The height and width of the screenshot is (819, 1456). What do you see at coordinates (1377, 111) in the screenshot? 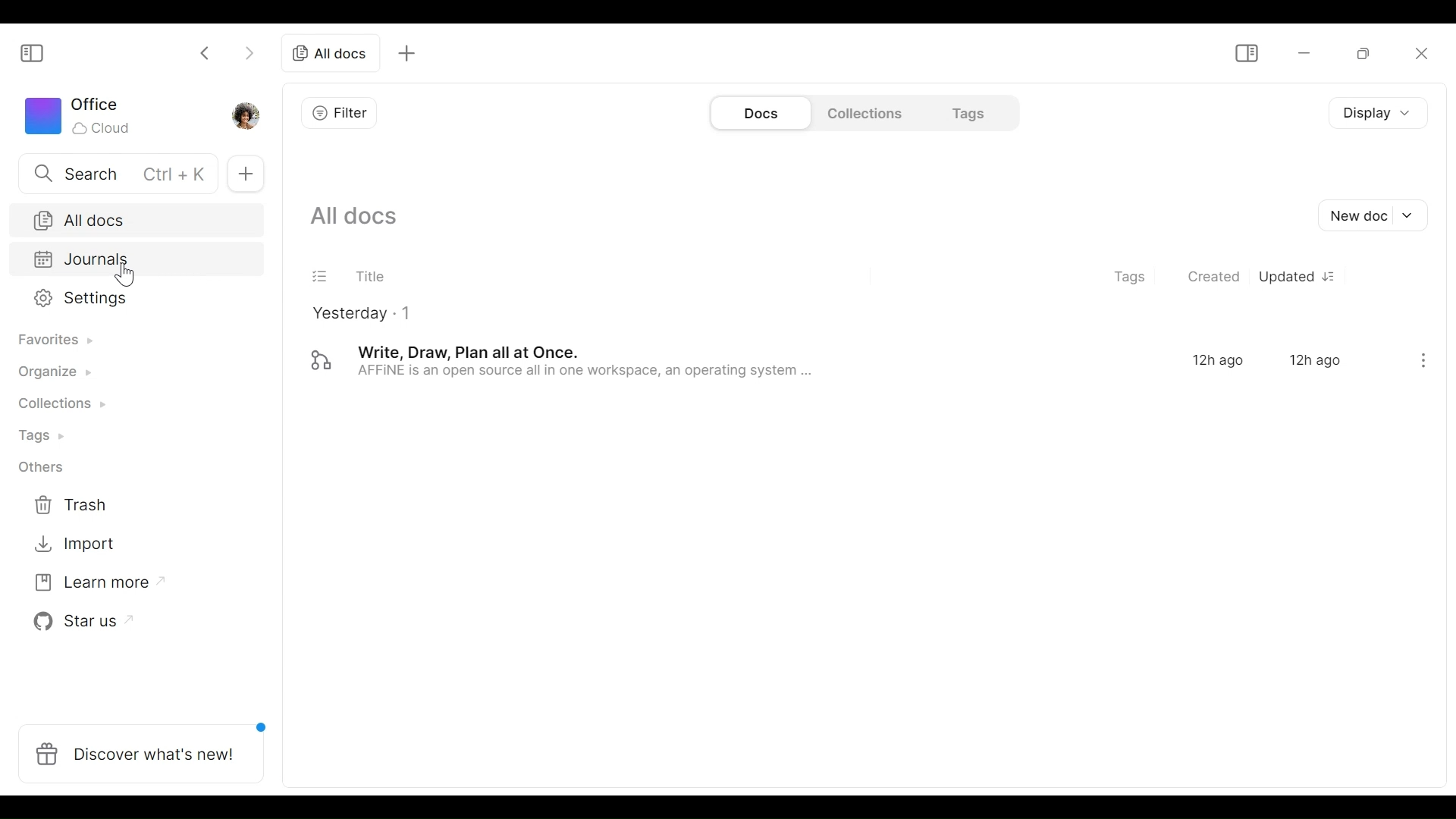
I see `Display` at bounding box center [1377, 111].